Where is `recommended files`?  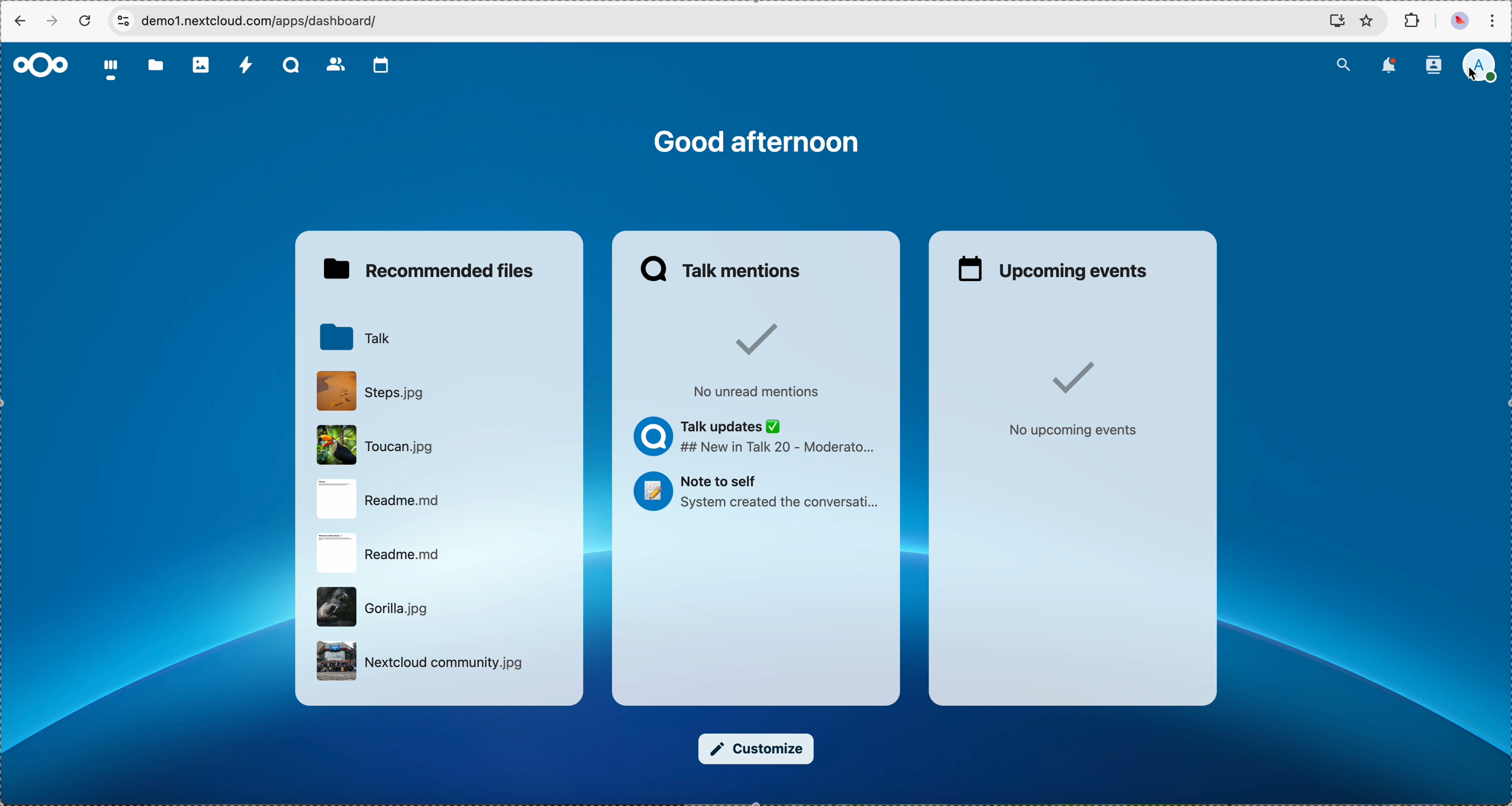 recommended files is located at coordinates (432, 270).